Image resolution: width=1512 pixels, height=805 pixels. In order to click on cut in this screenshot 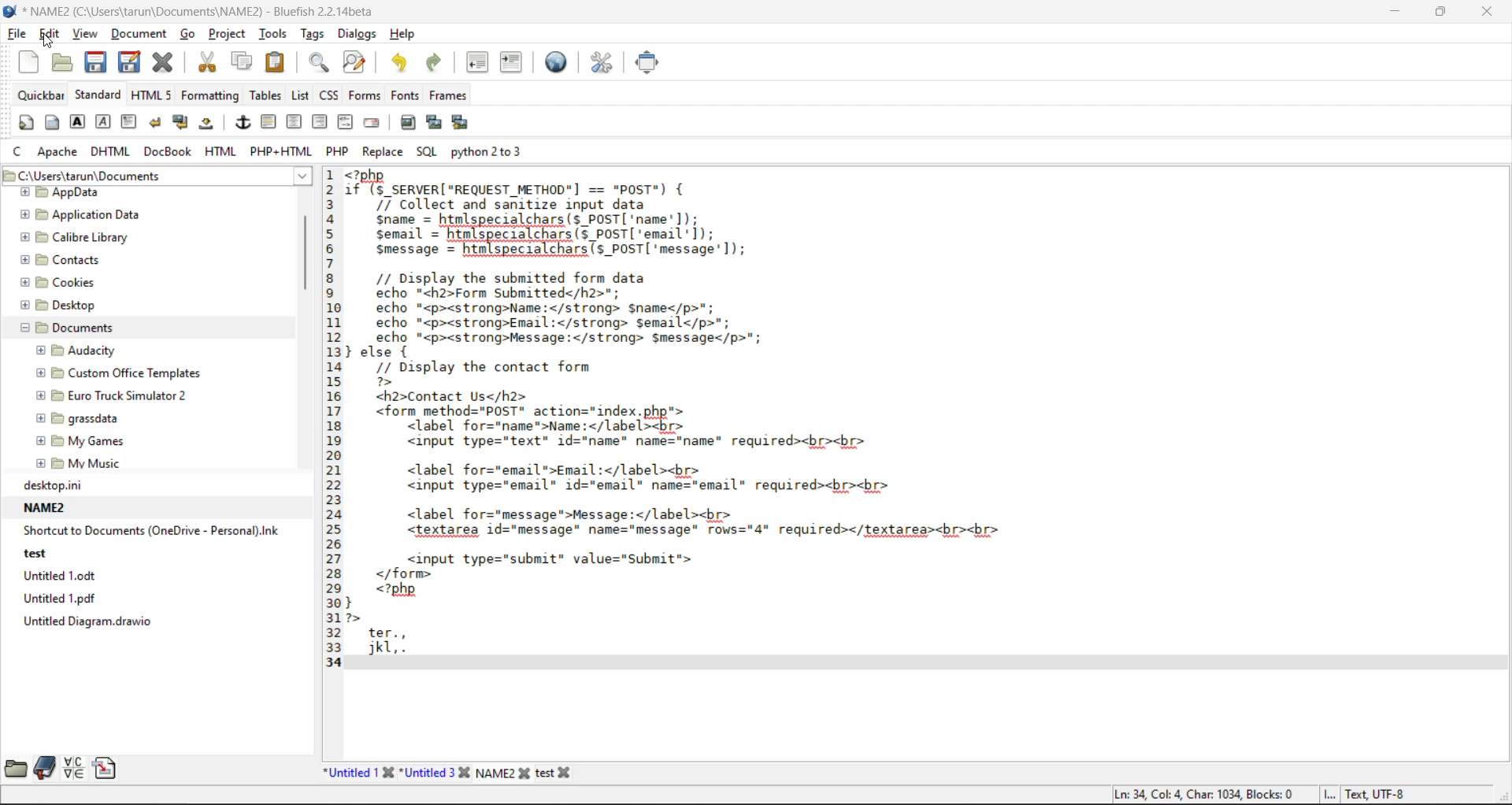, I will do `click(208, 65)`.